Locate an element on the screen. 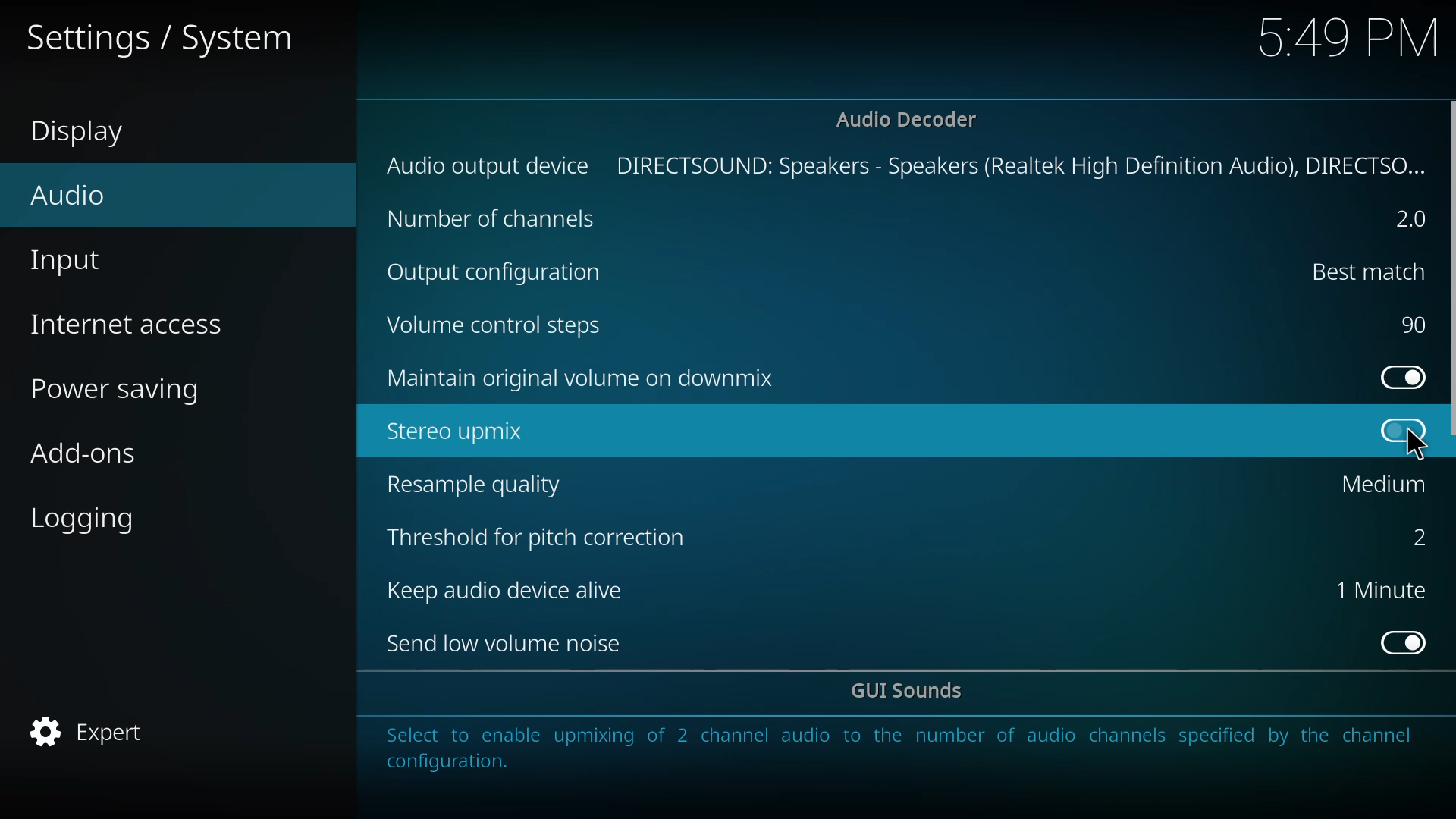 The image size is (1456, 819). 1 is located at coordinates (1382, 588).